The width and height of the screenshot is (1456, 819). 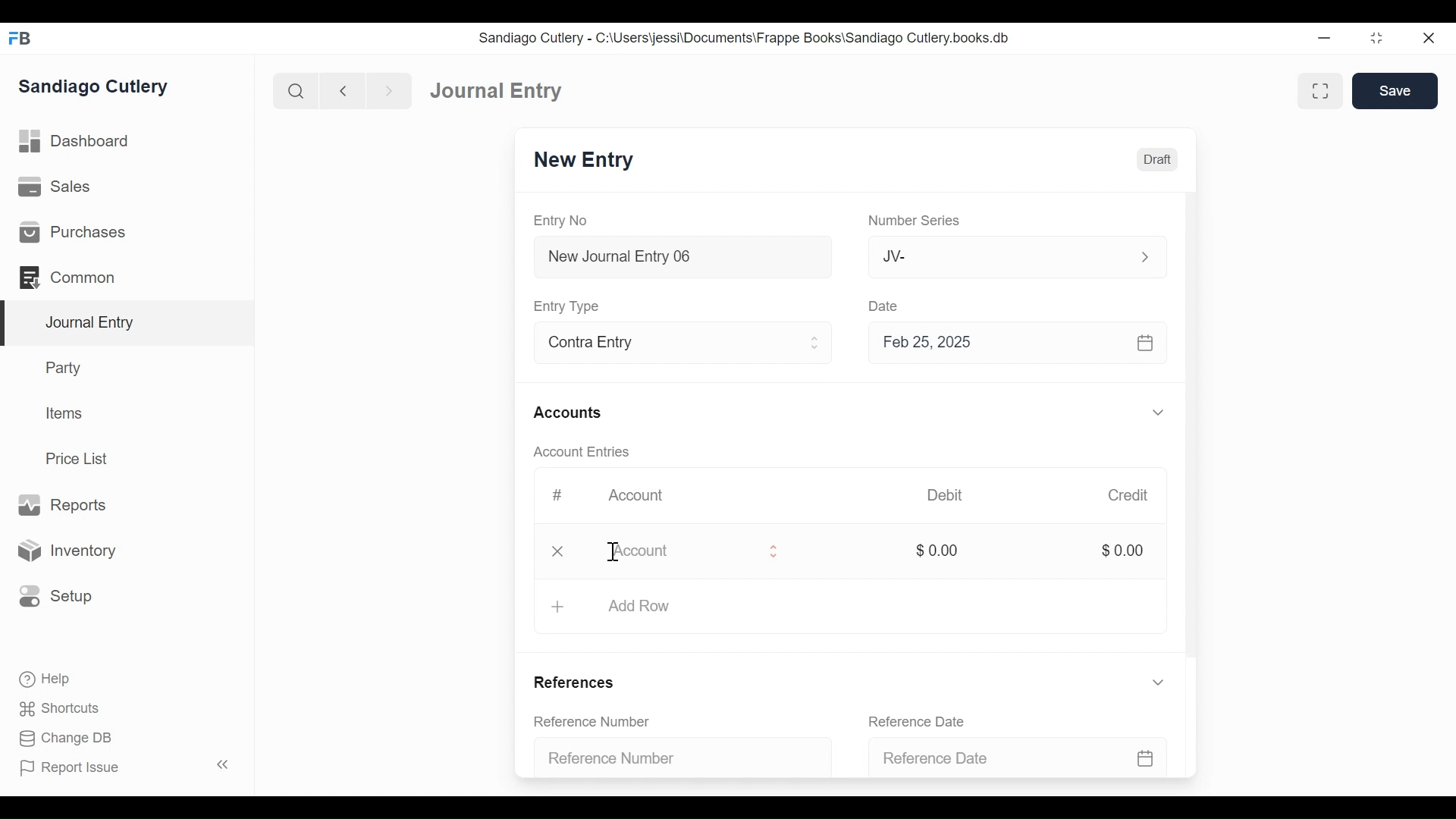 What do you see at coordinates (815, 343) in the screenshot?
I see `Expand` at bounding box center [815, 343].